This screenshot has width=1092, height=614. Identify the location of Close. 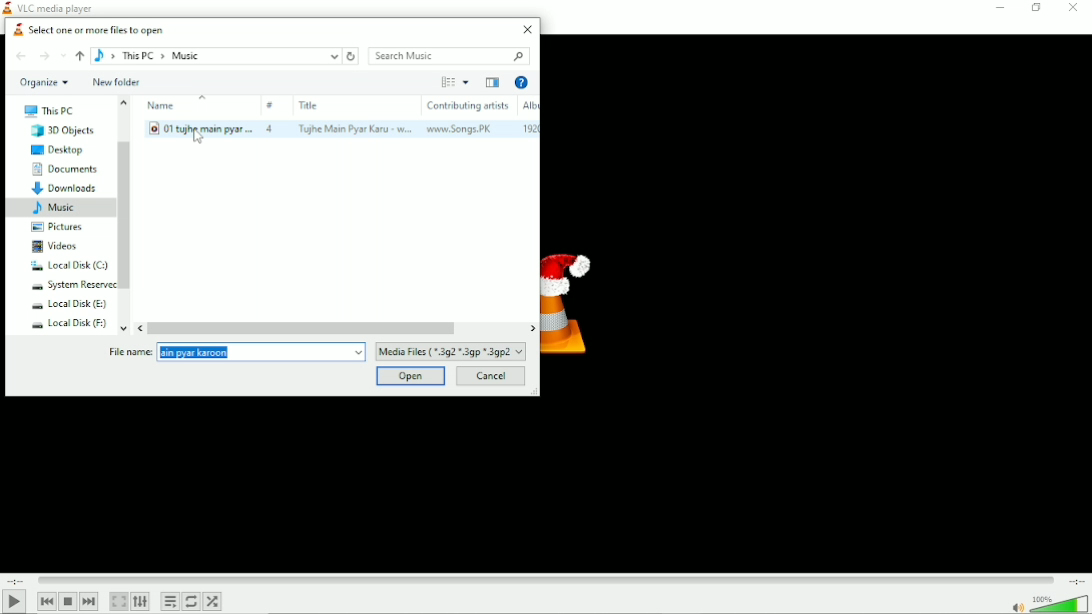
(529, 29).